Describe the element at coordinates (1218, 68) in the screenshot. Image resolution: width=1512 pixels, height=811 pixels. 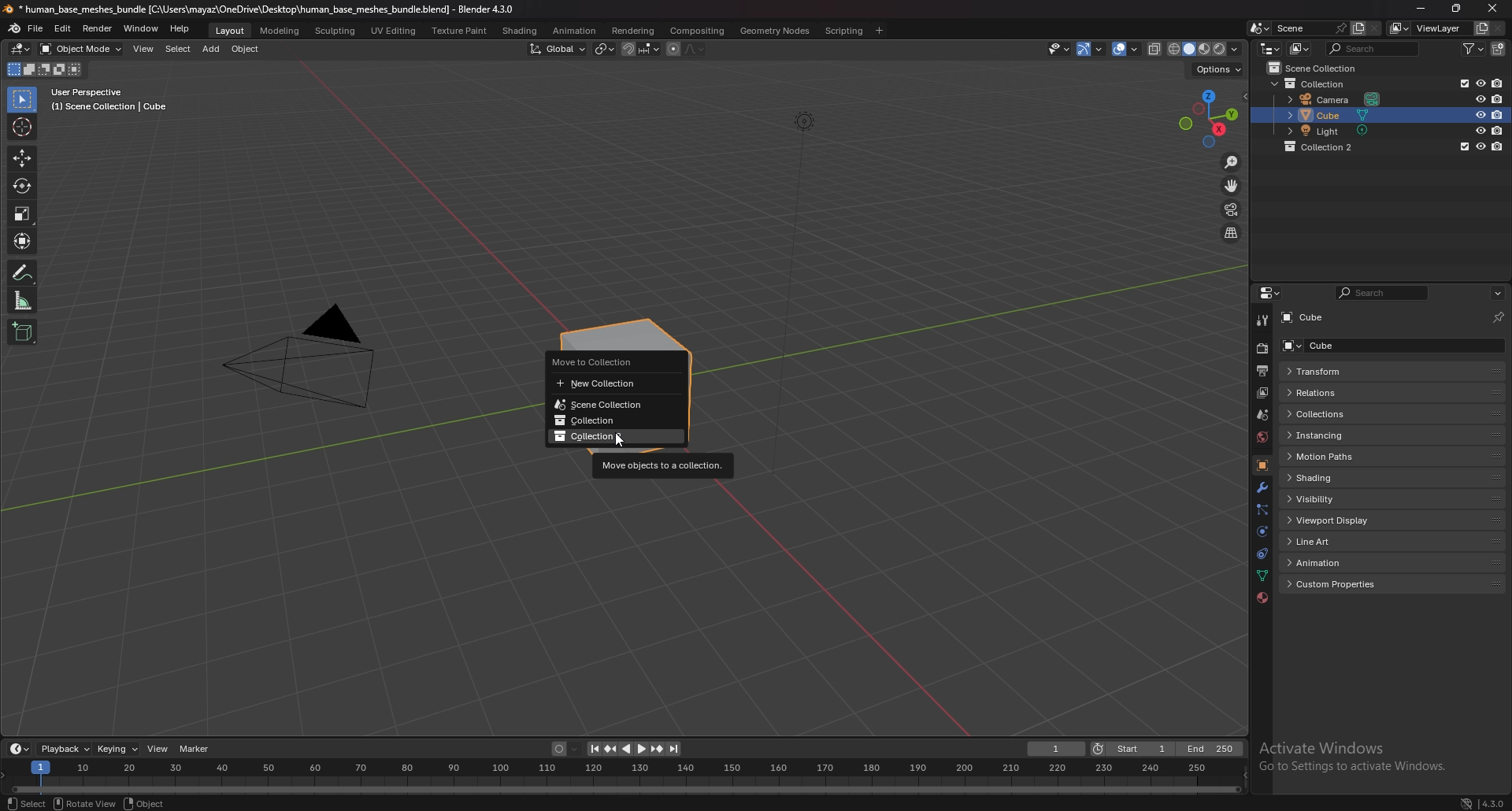
I see `options` at that location.